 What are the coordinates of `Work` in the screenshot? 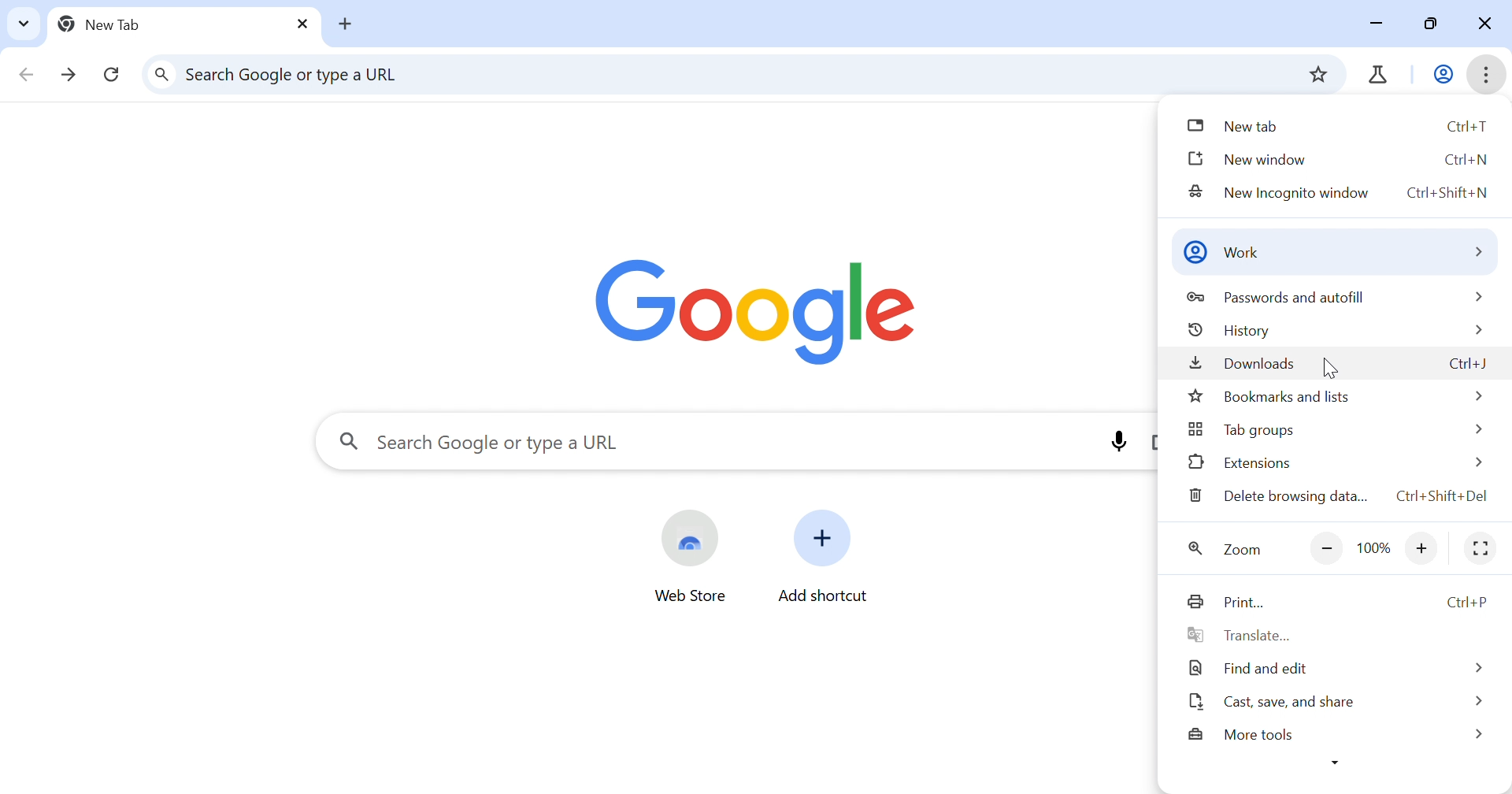 It's located at (1222, 253).